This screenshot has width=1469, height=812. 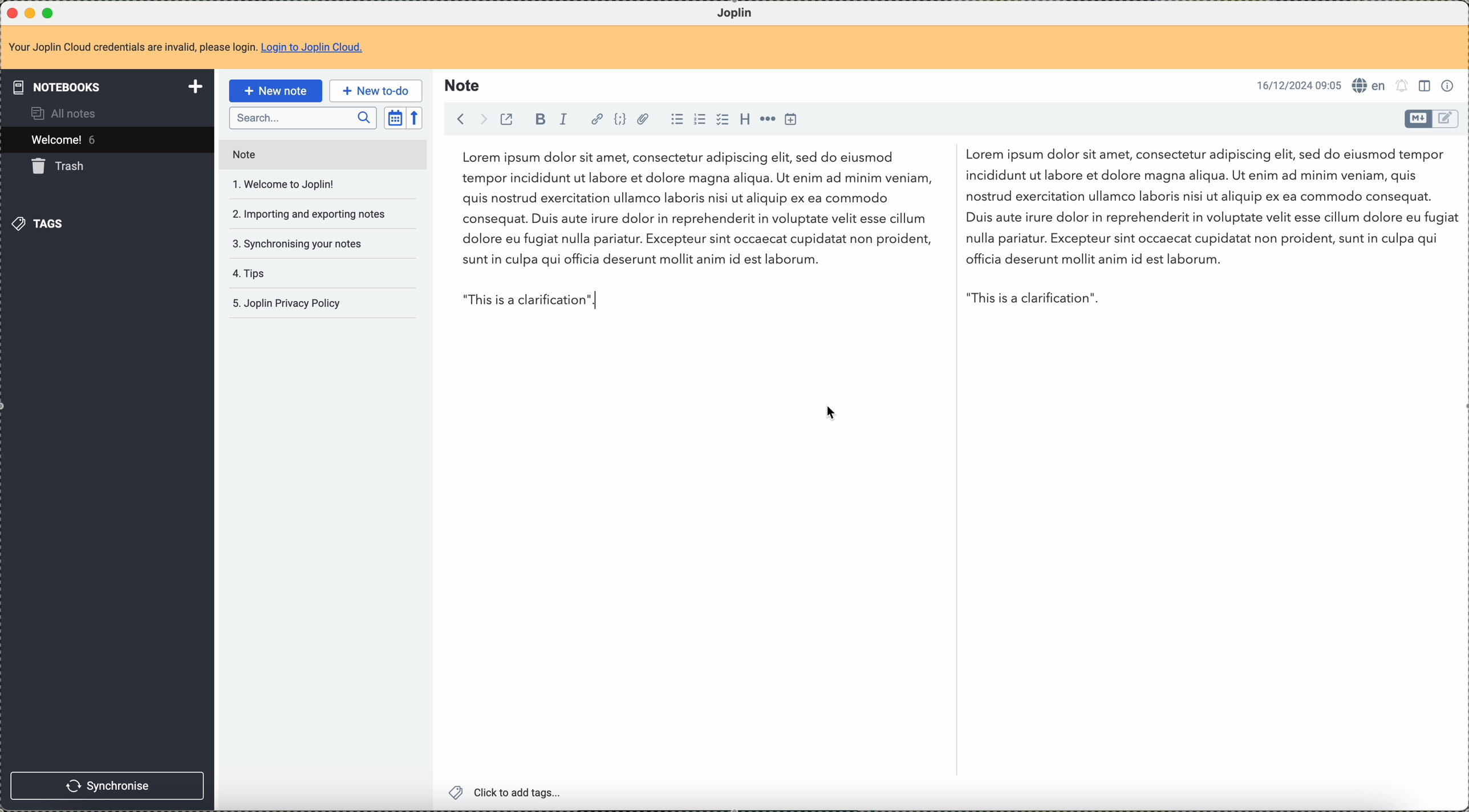 I want to click on code, so click(x=620, y=118).